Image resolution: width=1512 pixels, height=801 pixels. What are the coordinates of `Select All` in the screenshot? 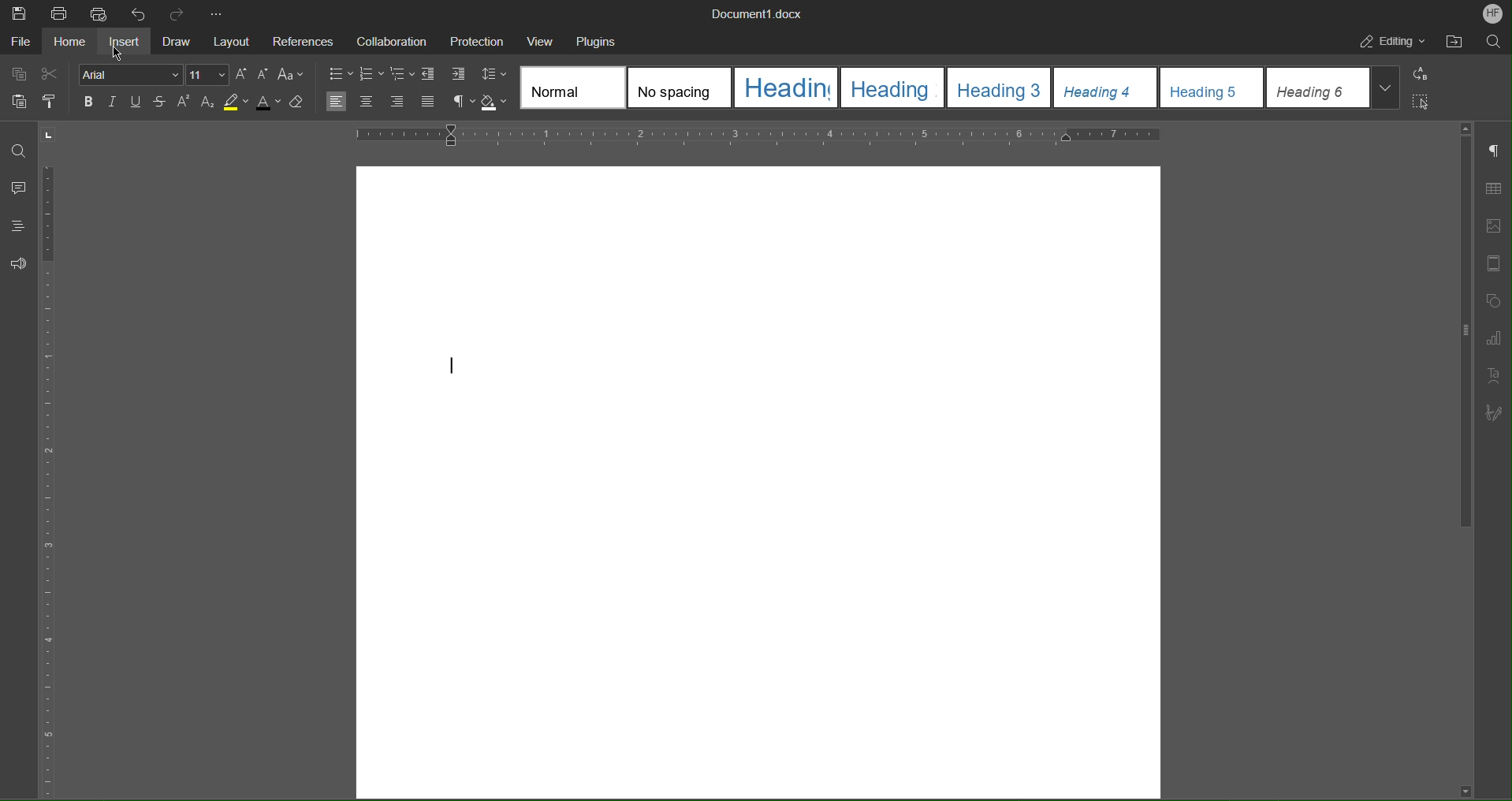 It's located at (1422, 101).